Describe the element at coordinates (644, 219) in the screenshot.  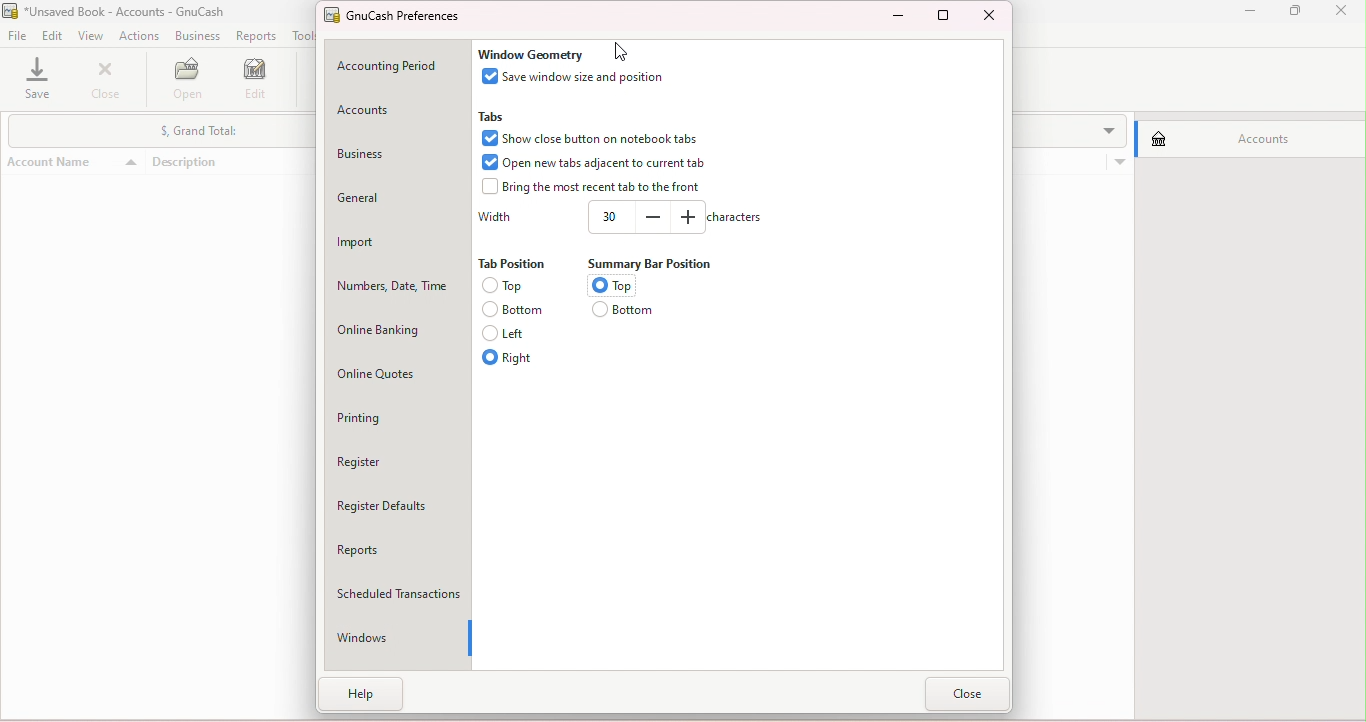
I see `Width` at that location.